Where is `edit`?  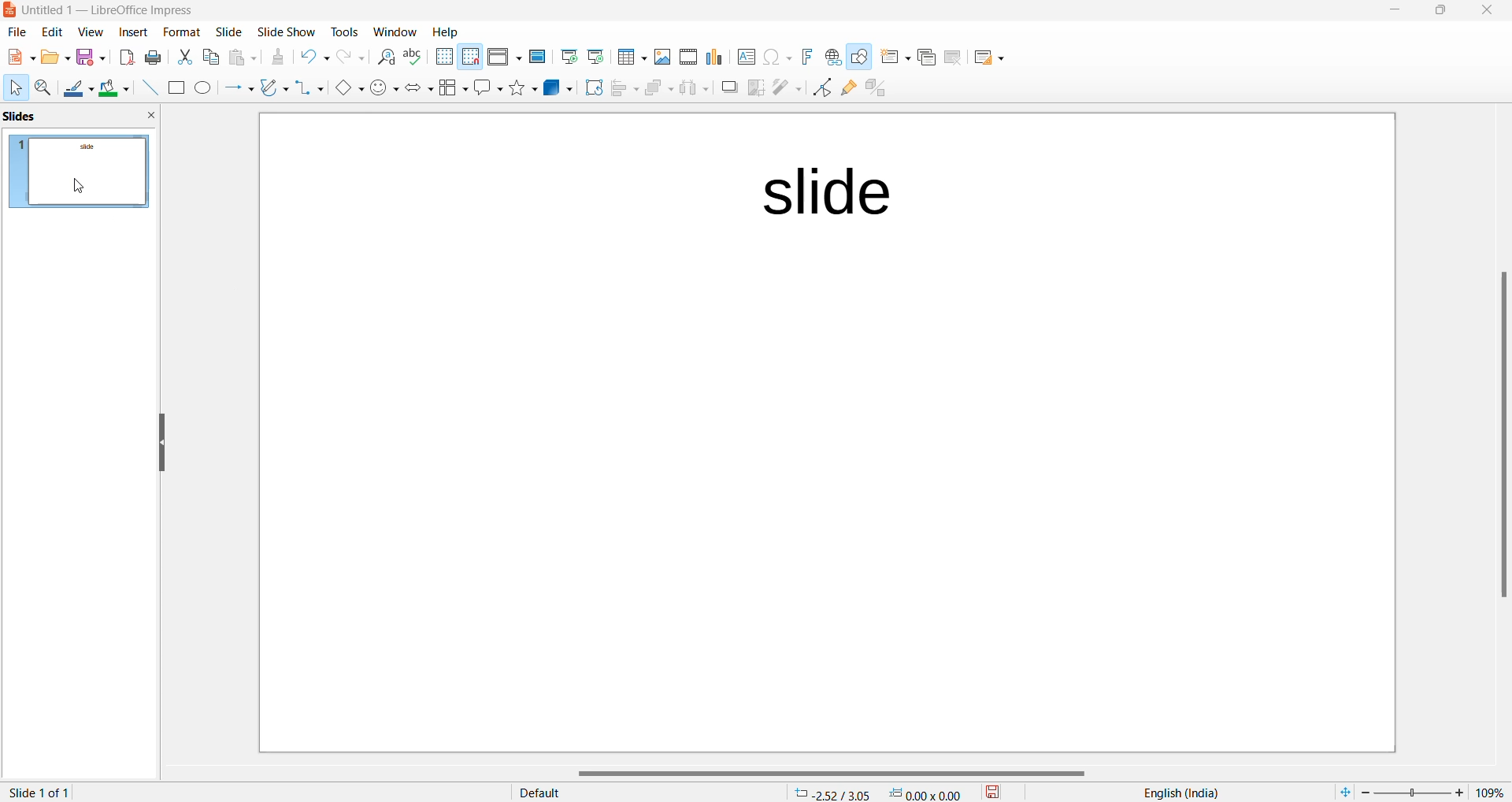 edit is located at coordinates (54, 32).